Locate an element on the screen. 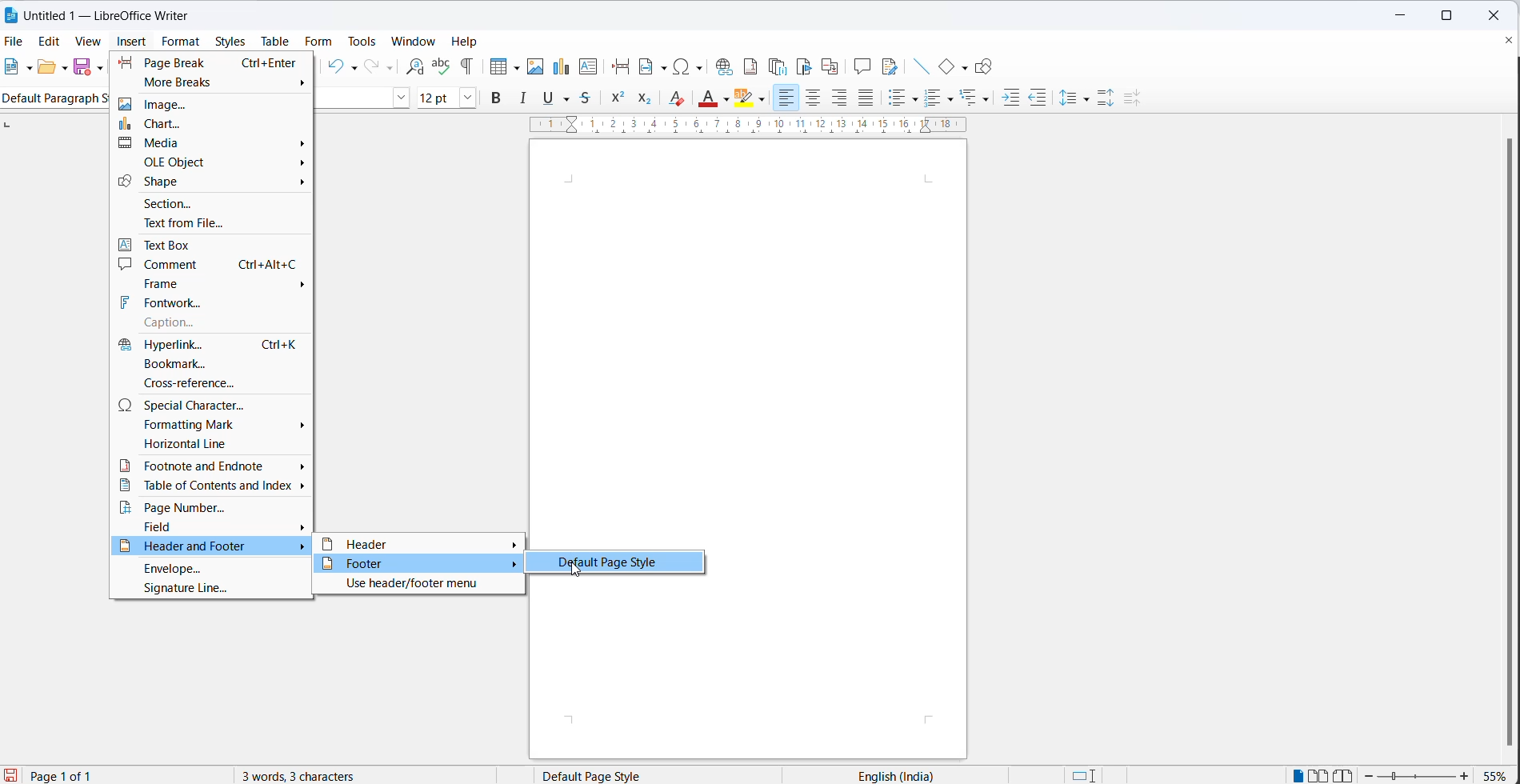  Untitled 1 - Litre Office Writer is located at coordinates (106, 15).